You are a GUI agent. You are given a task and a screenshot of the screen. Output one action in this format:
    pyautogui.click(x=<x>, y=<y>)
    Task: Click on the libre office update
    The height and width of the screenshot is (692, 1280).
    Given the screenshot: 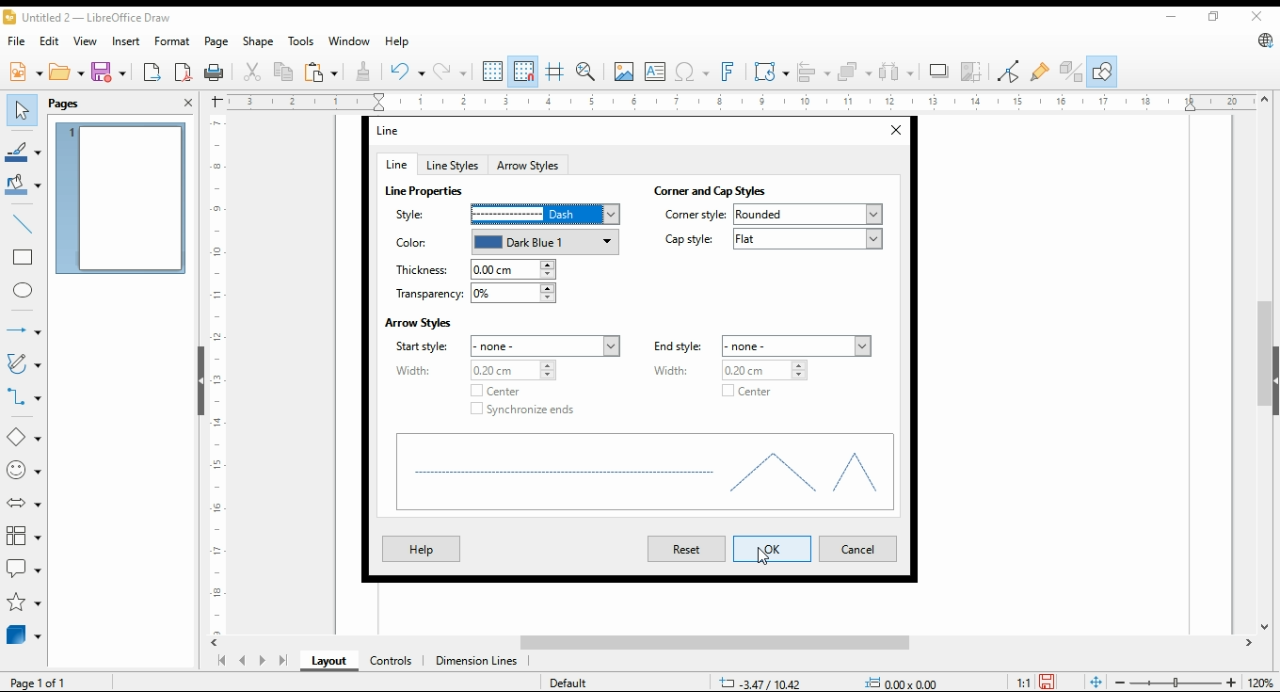 What is the action you would take?
    pyautogui.click(x=1264, y=40)
    